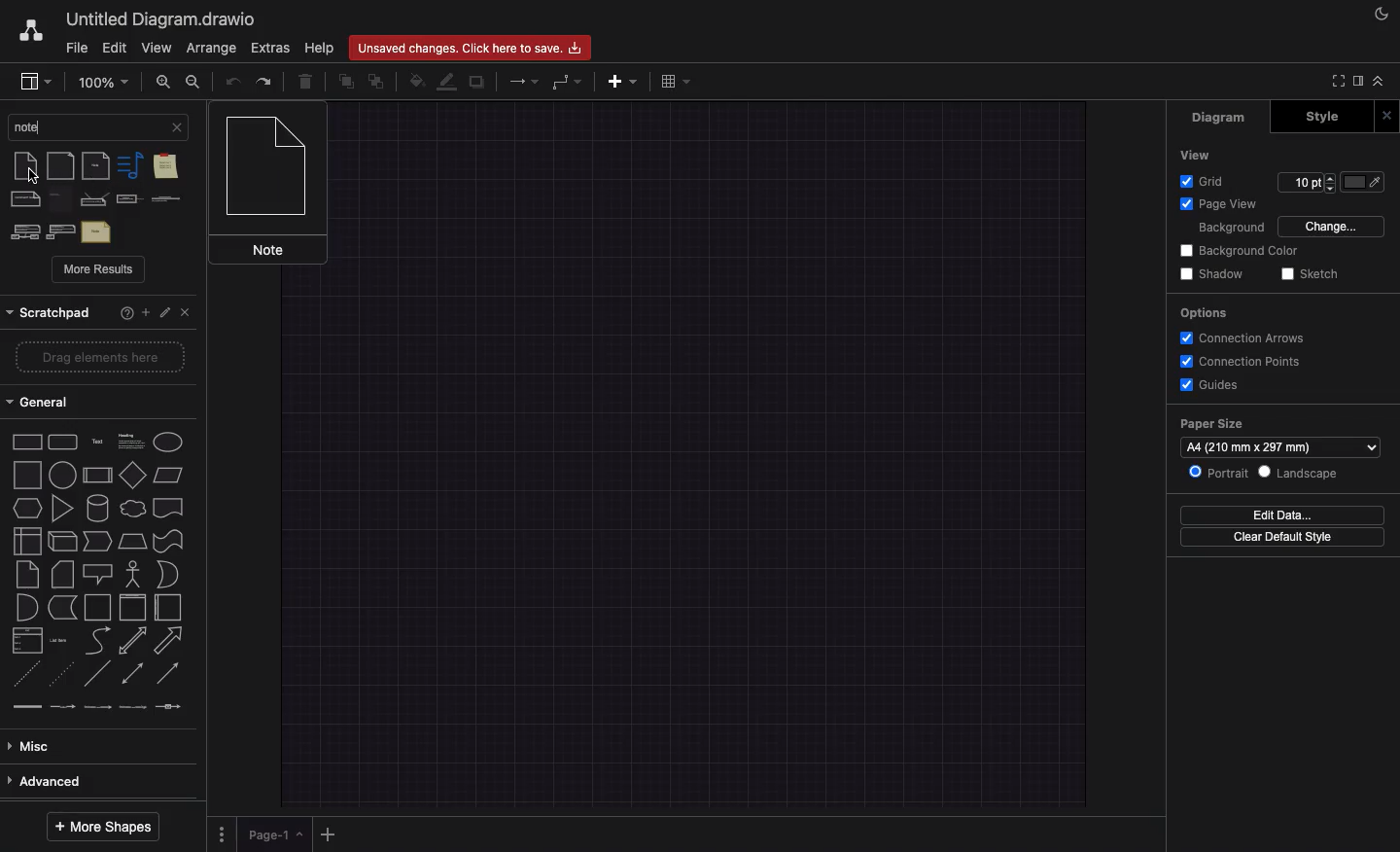  I want to click on Redo, so click(264, 81).